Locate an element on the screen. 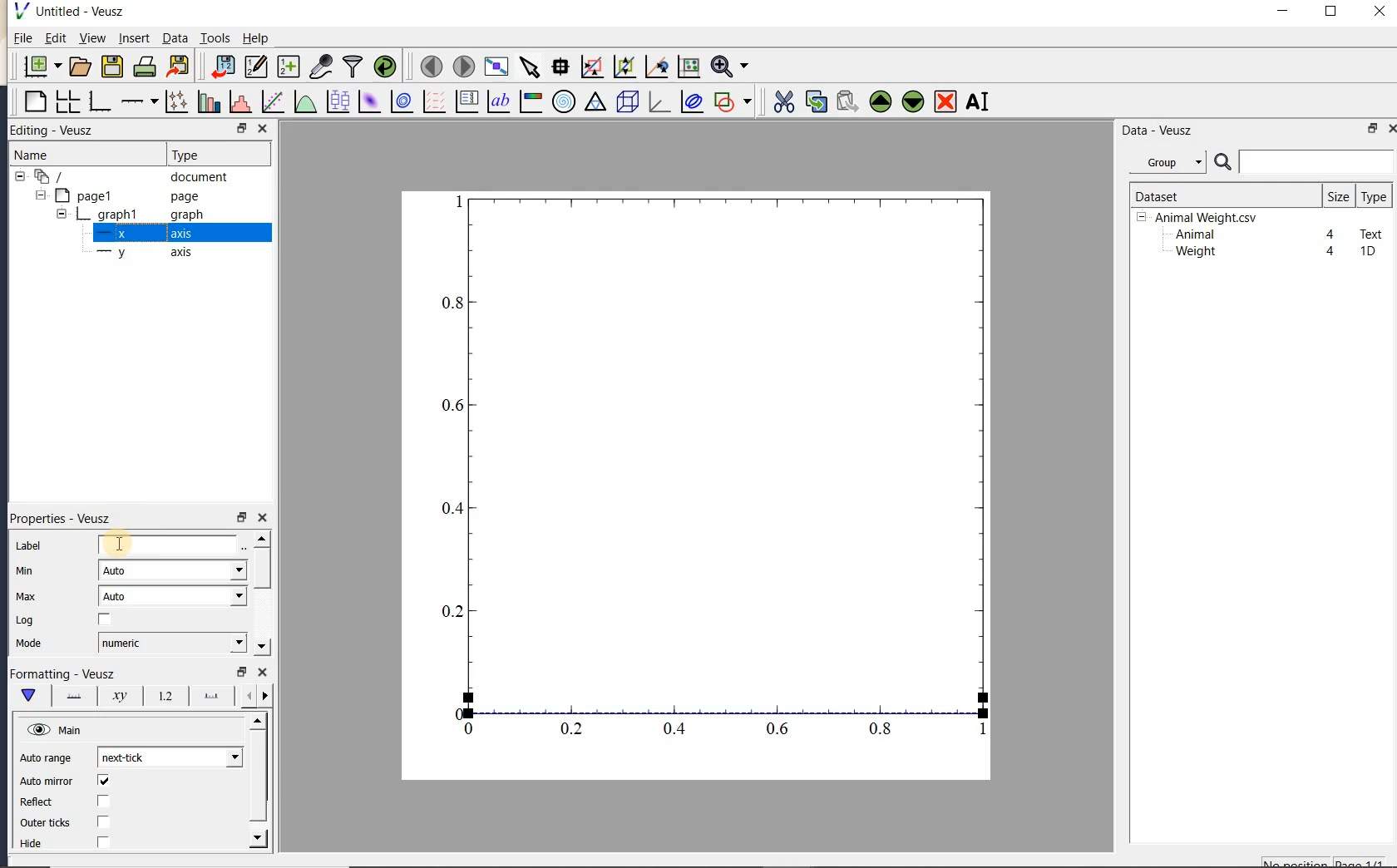  image color bar is located at coordinates (531, 101).